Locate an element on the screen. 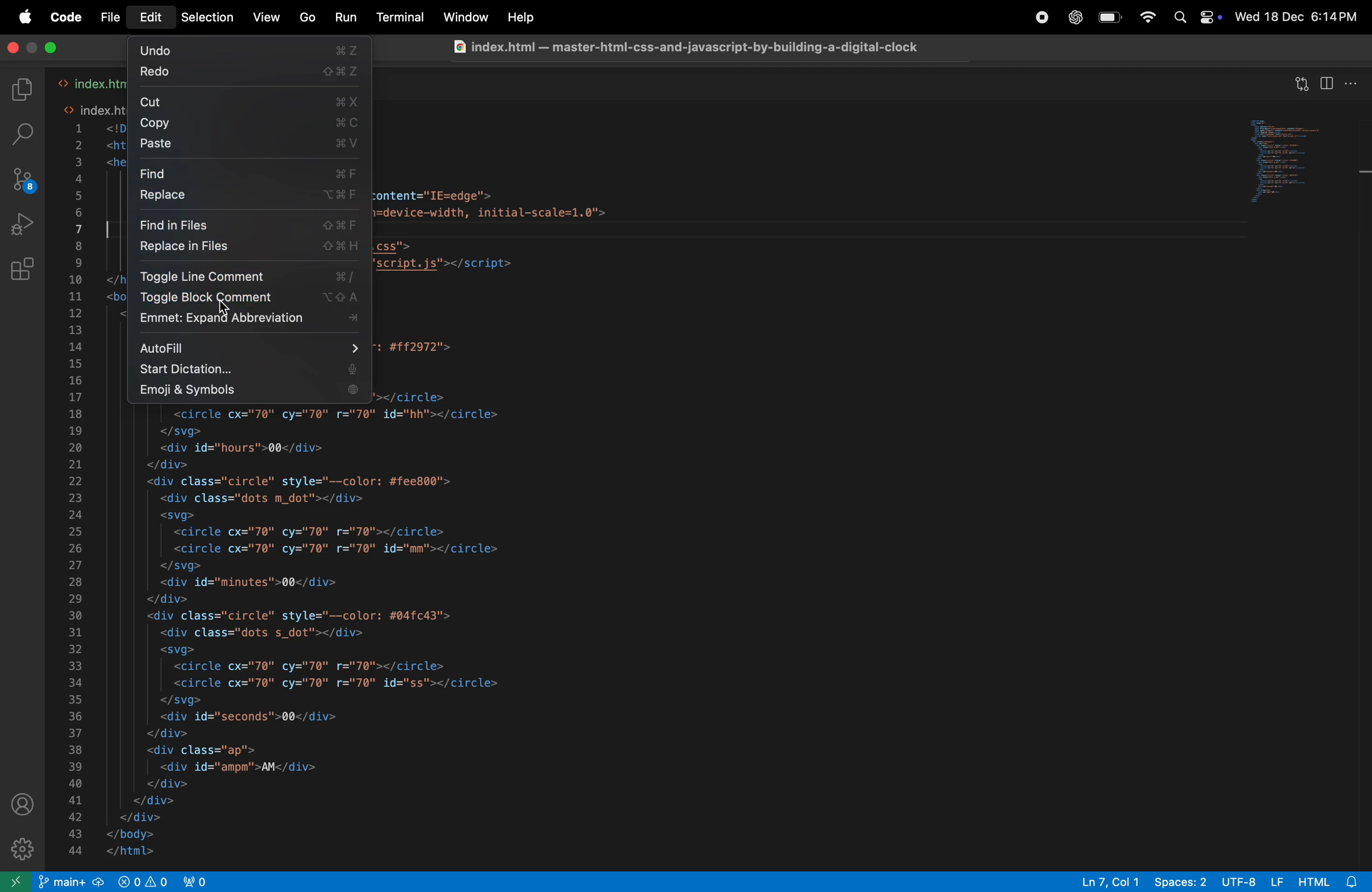 Image resolution: width=1372 pixels, height=892 pixels. terminal is located at coordinates (401, 18).